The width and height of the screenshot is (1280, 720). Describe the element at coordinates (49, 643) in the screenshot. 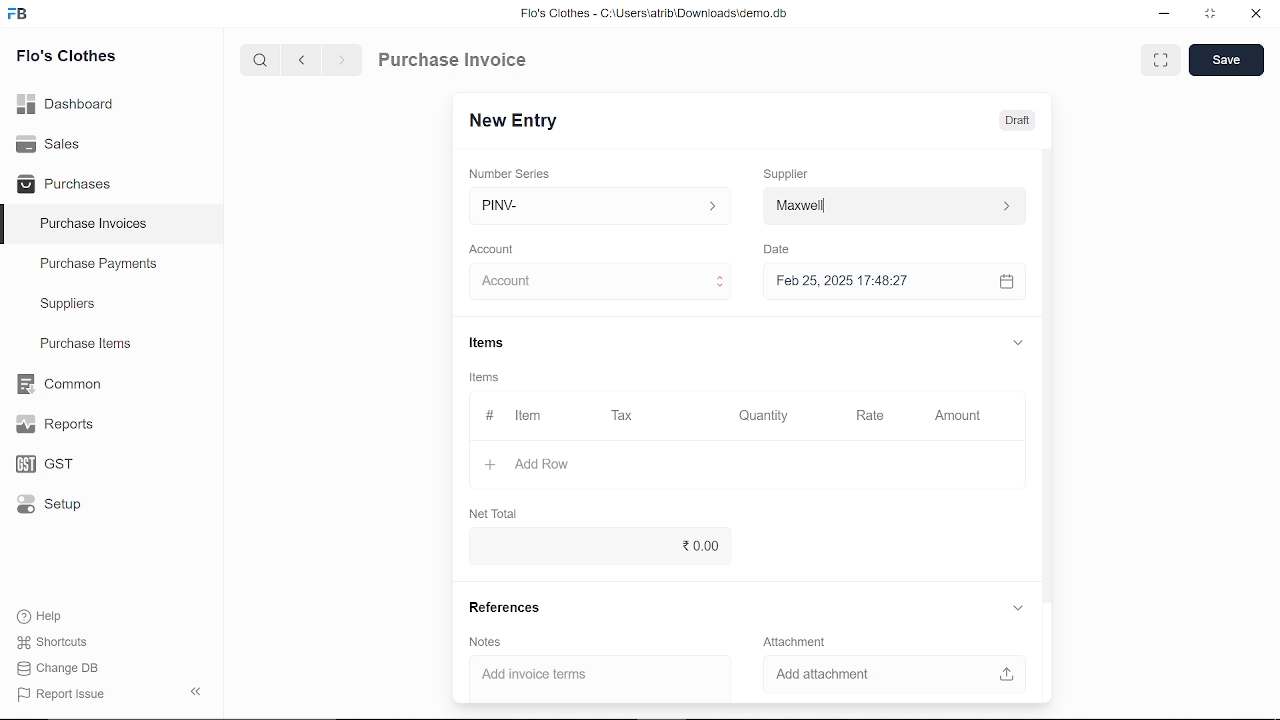

I see `Shortcuts` at that location.